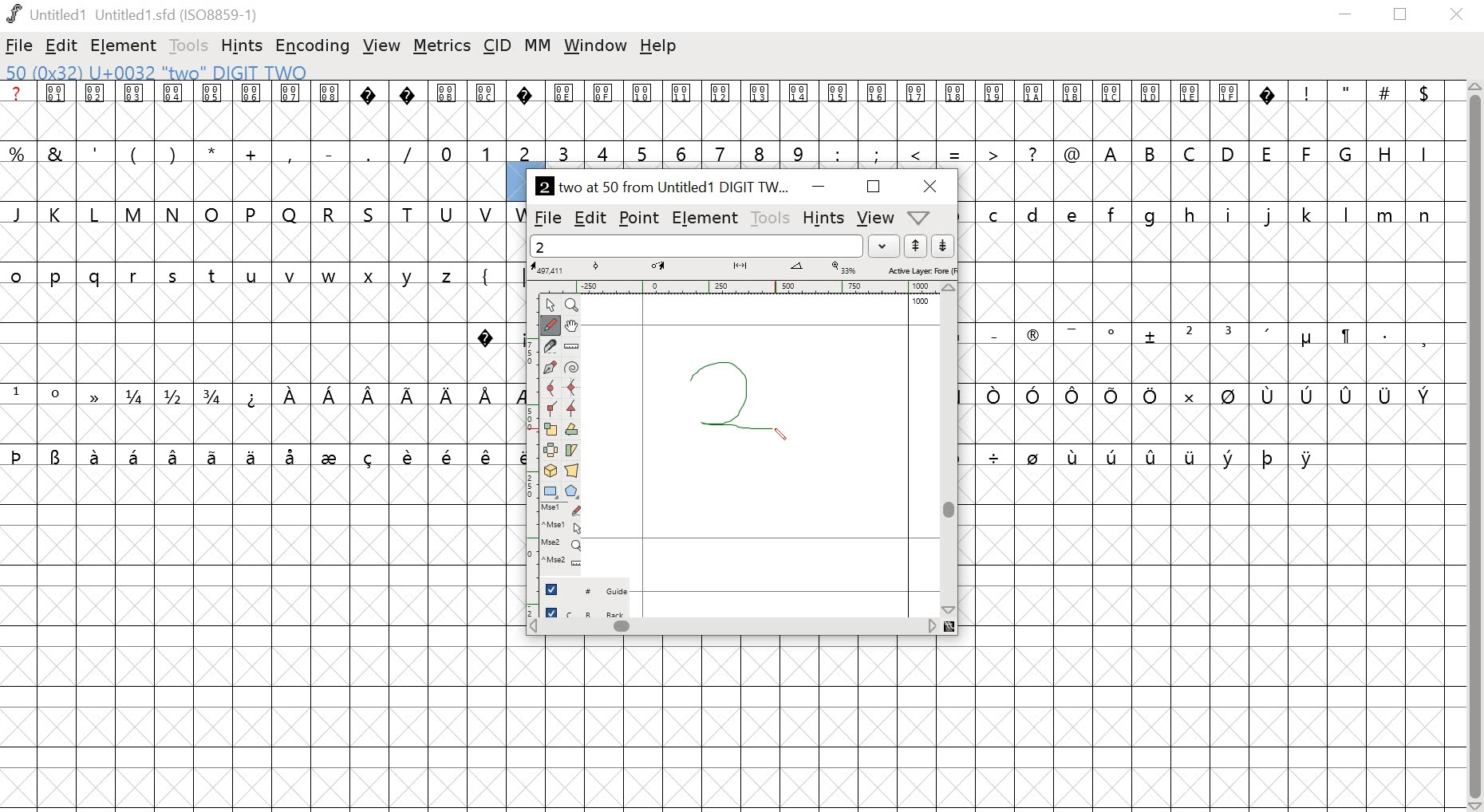  Describe the element at coordinates (443, 46) in the screenshot. I see `metrics` at that location.